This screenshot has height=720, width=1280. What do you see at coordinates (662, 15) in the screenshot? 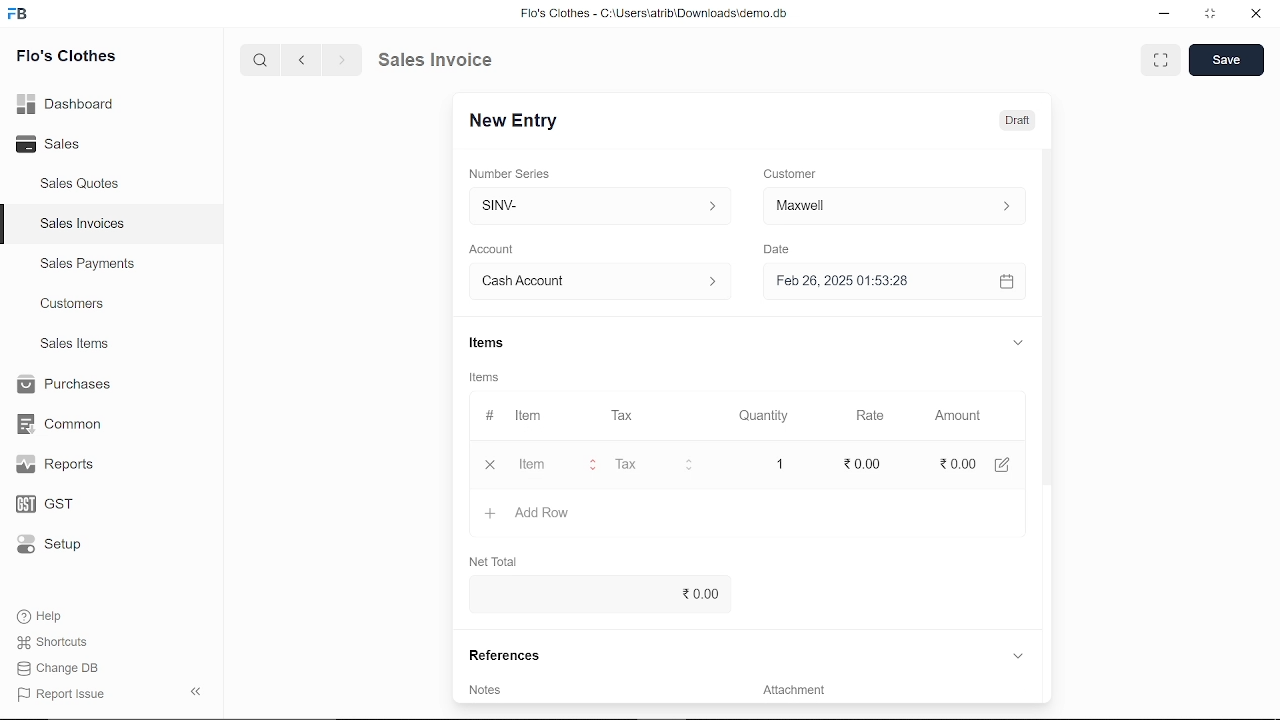
I see `Flo's Clothes - C:\UsersatribiDownloads\demo.do` at bounding box center [662, 15].